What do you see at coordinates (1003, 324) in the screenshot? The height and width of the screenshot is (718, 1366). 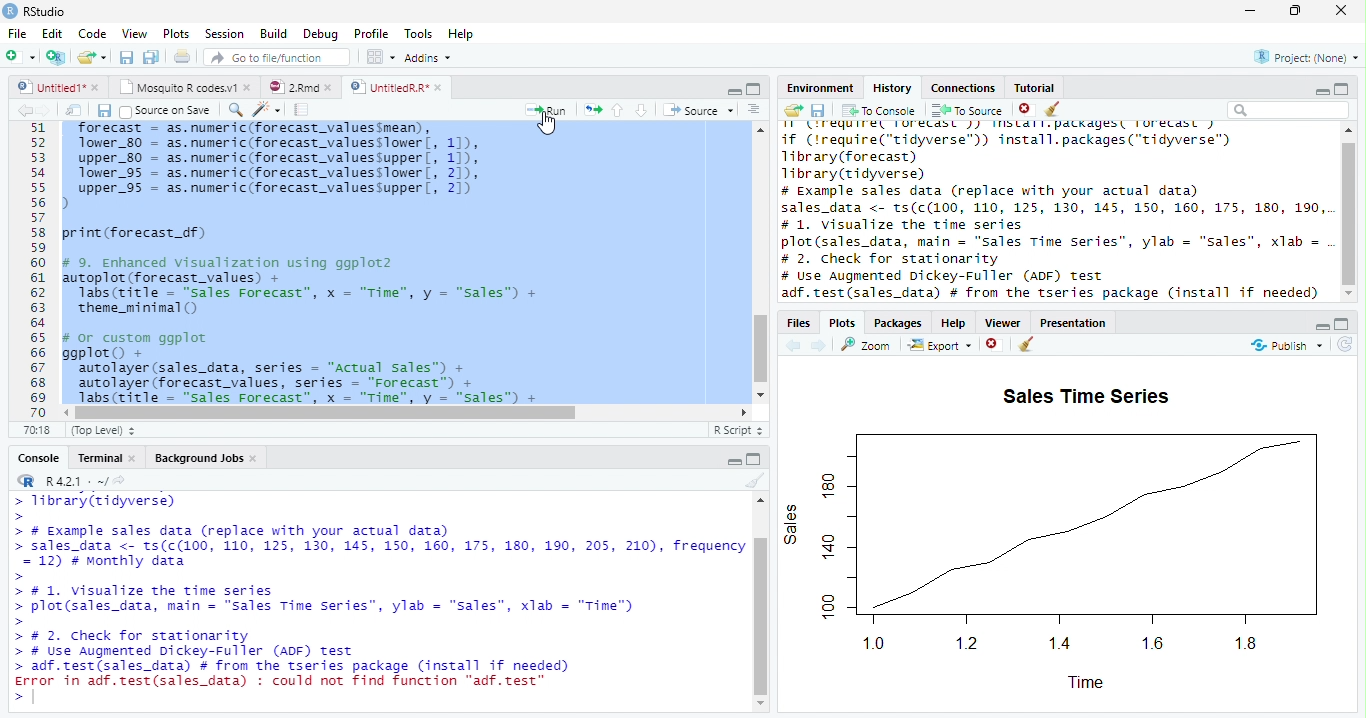 I see `viewer` at bounding box center [1003, 324].